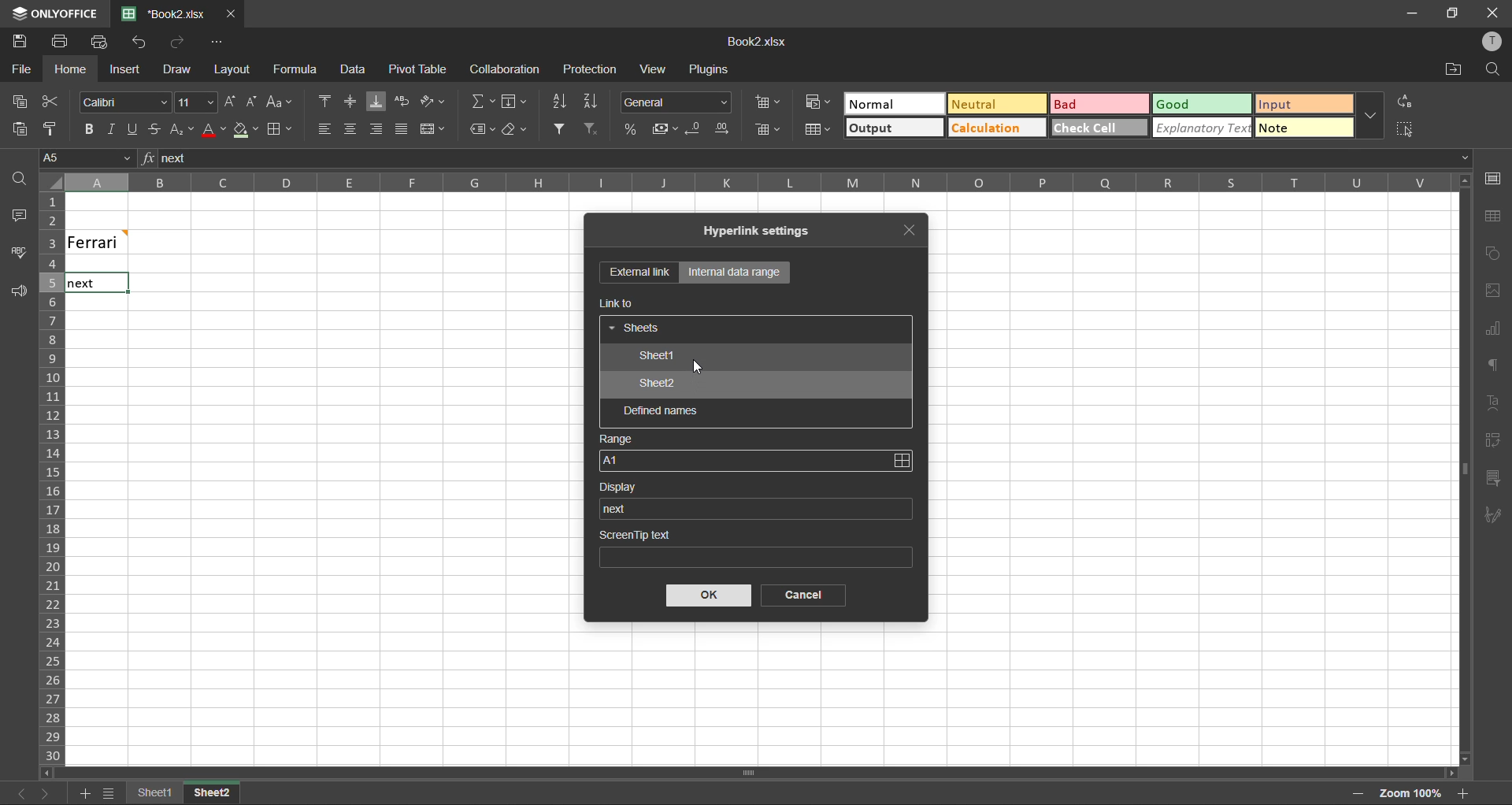  Describe the element at coordinates (1407, 100) in the screenshot. I see `replace` at that location.